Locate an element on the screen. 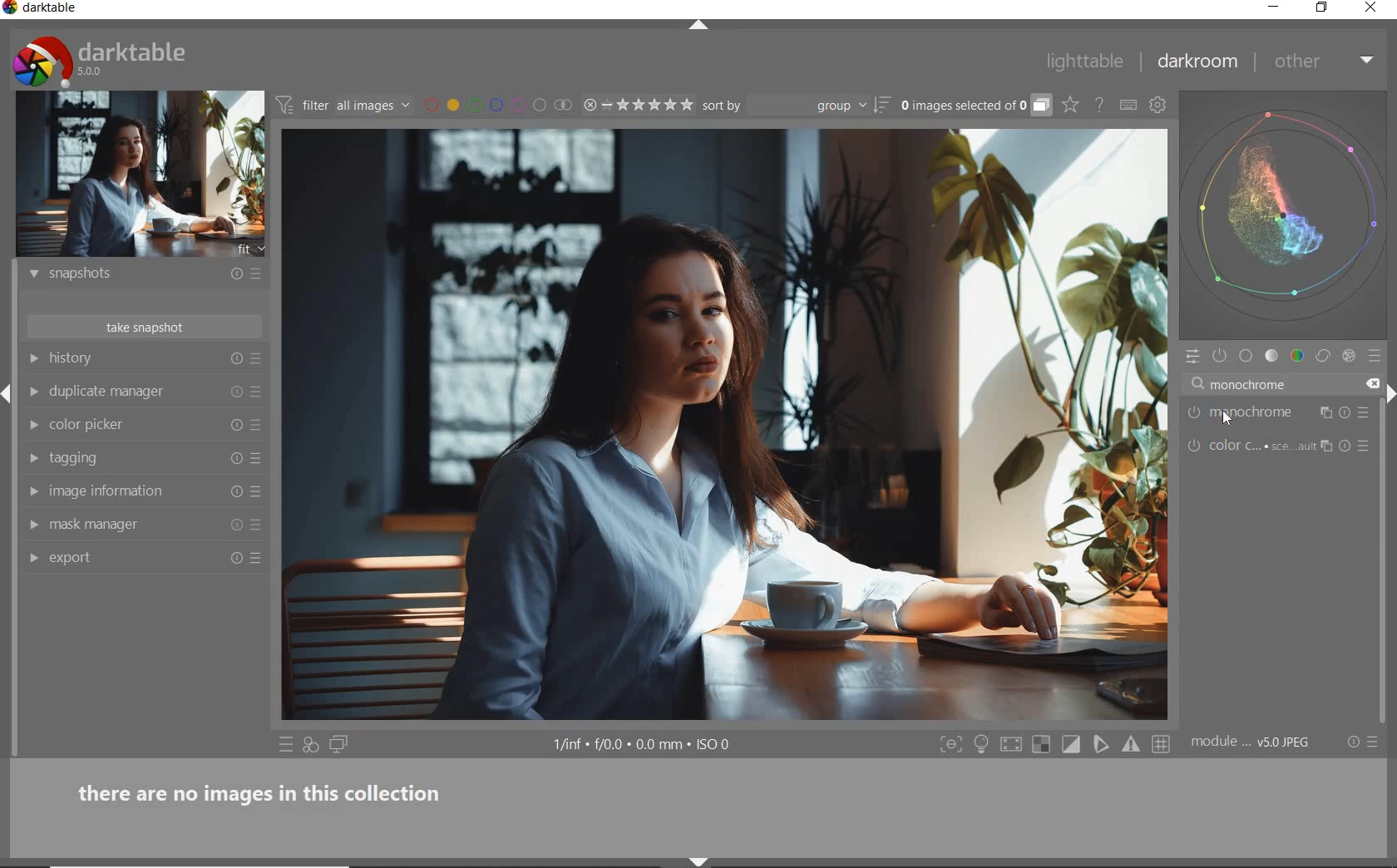 The image size is (1397, 868). show module is located at coordinates (37, 426).